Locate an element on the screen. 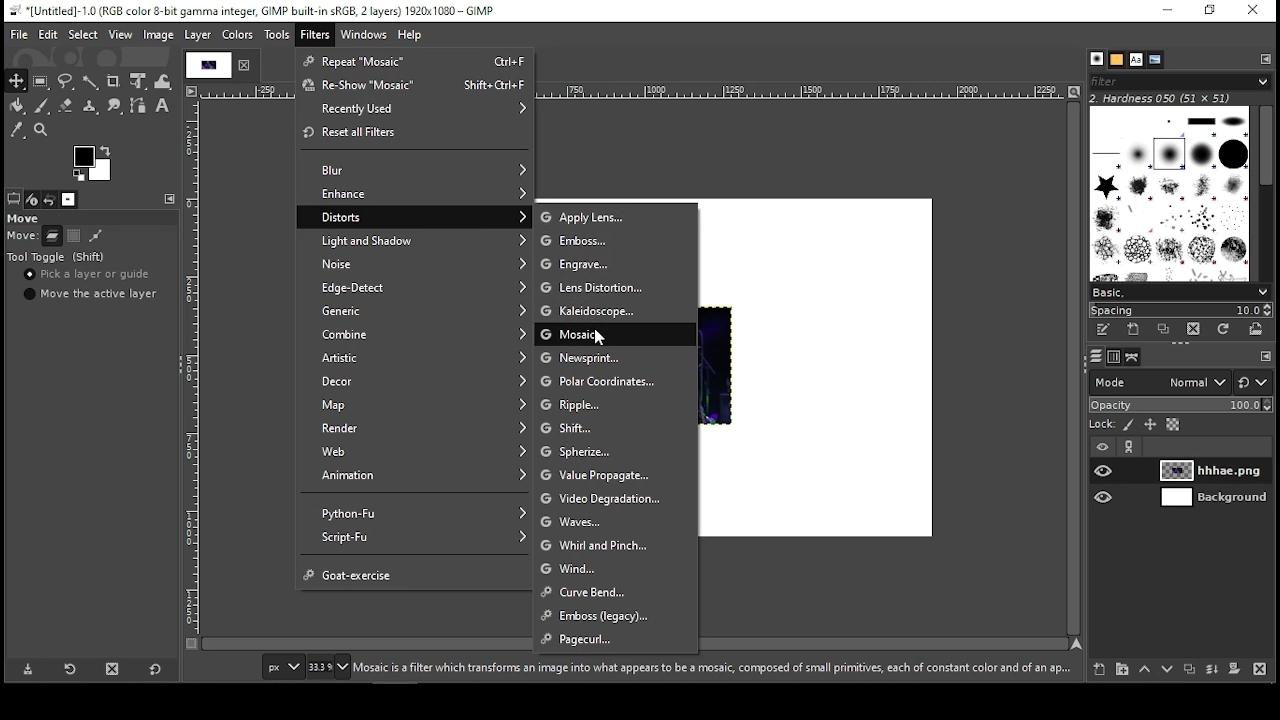  pick a layer or guide is located at coordinates (89, 275).